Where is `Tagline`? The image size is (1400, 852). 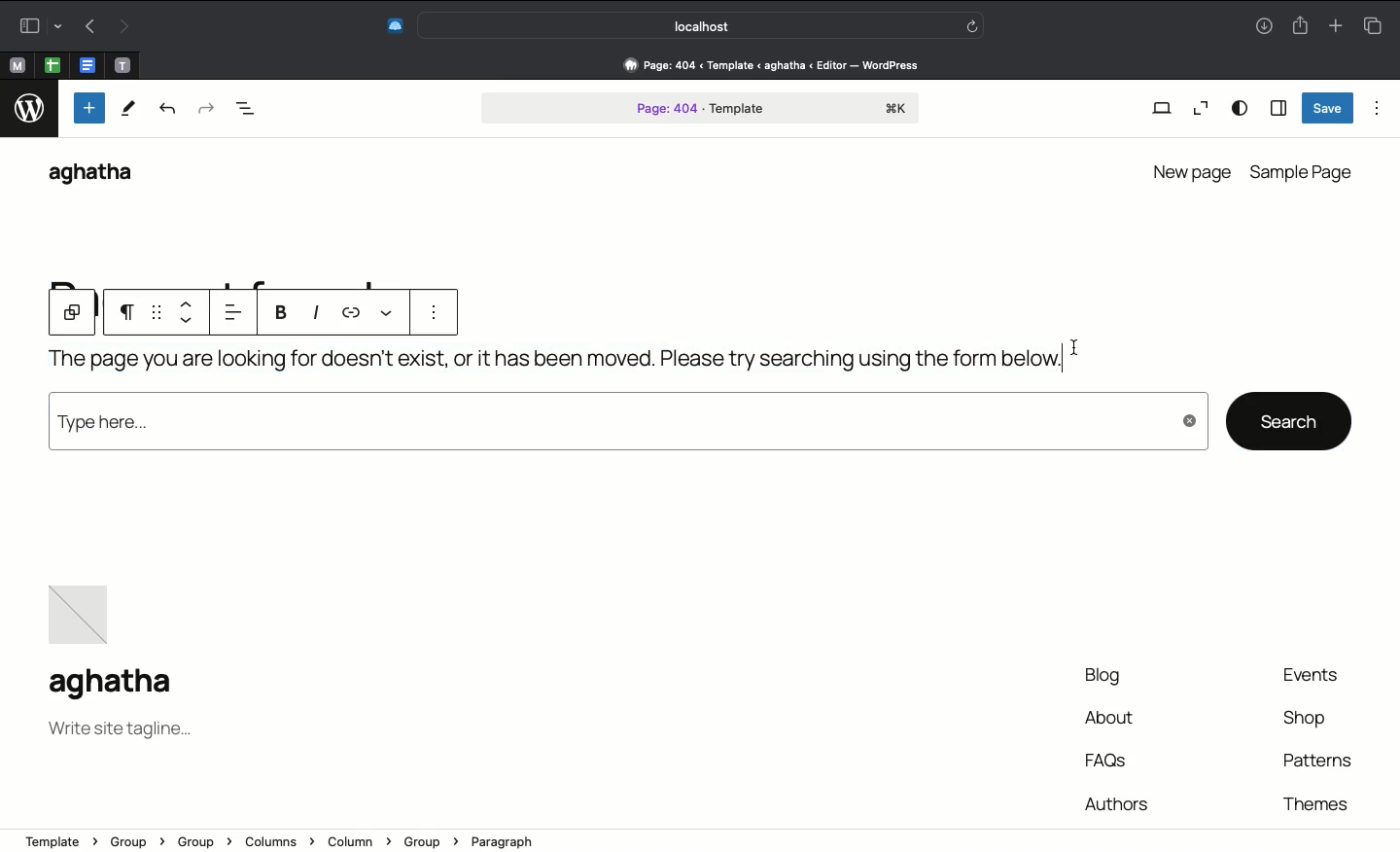 Tagline is located at coordinates (120, 732).